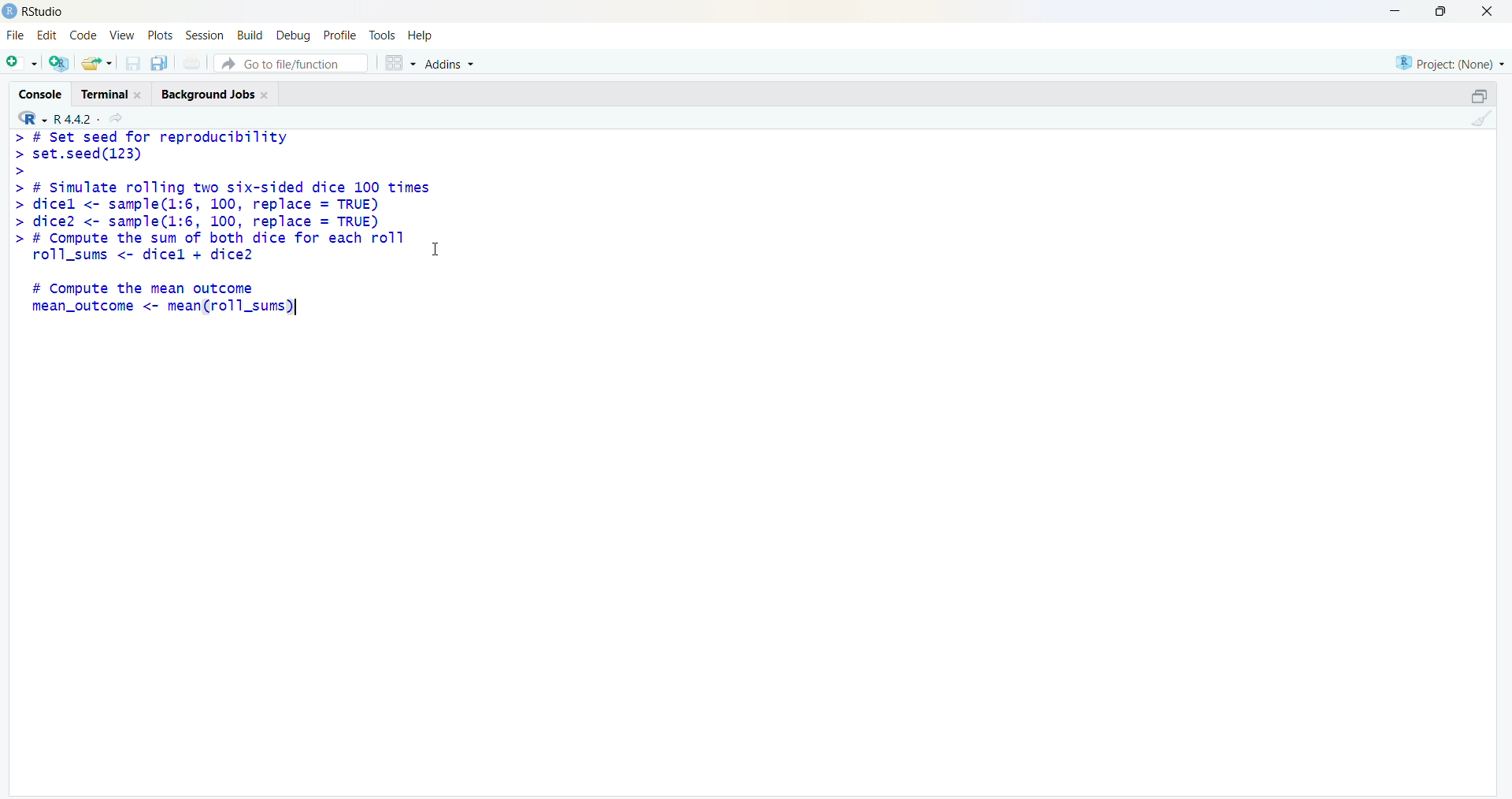  I want to click on go to file/function, so click(291, 63).